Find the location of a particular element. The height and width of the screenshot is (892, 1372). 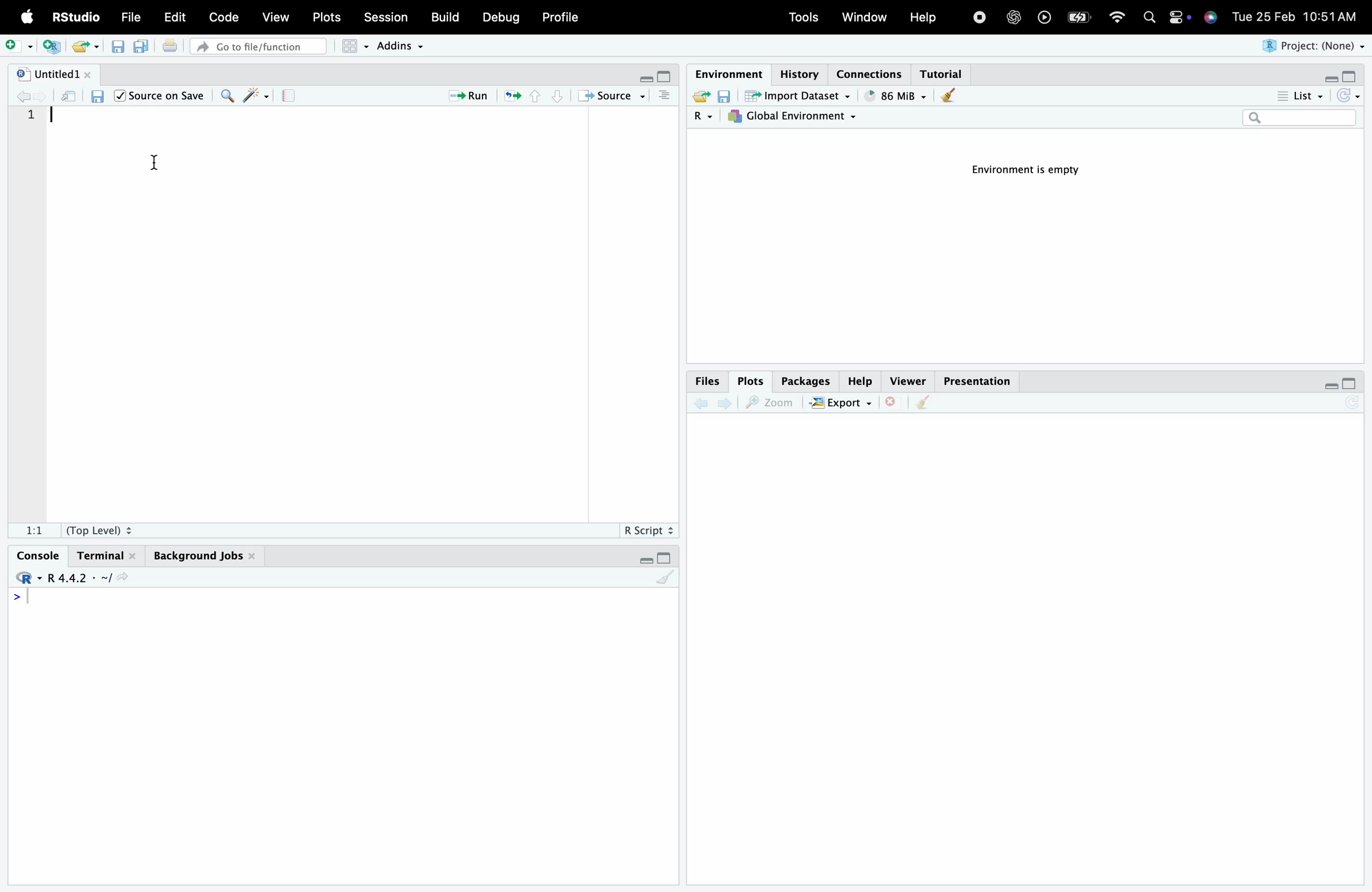

Environment is located at coordinates (726, 72).